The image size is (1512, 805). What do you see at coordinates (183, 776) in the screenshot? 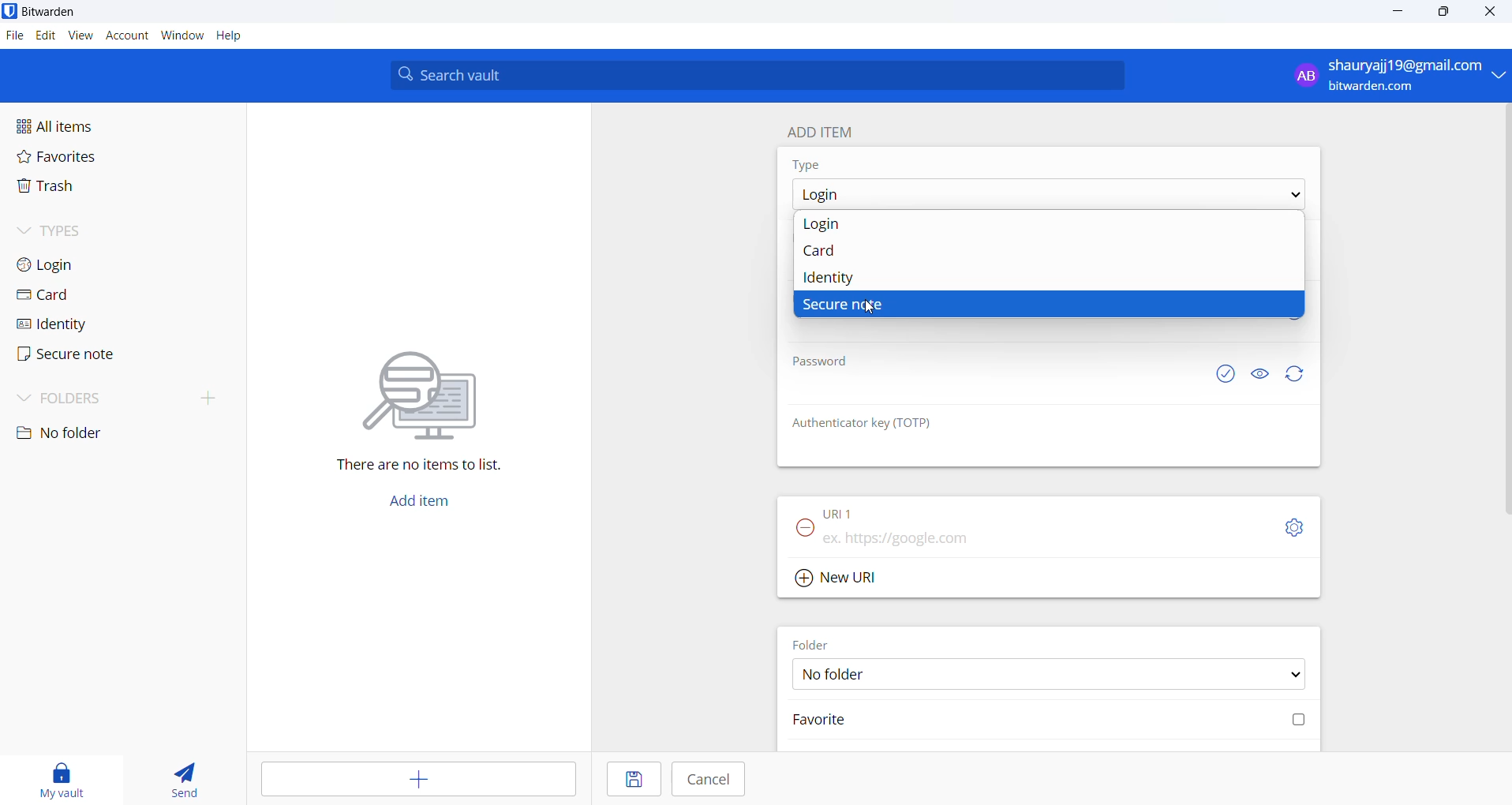
I see `send` at bounding box center [183, 776].